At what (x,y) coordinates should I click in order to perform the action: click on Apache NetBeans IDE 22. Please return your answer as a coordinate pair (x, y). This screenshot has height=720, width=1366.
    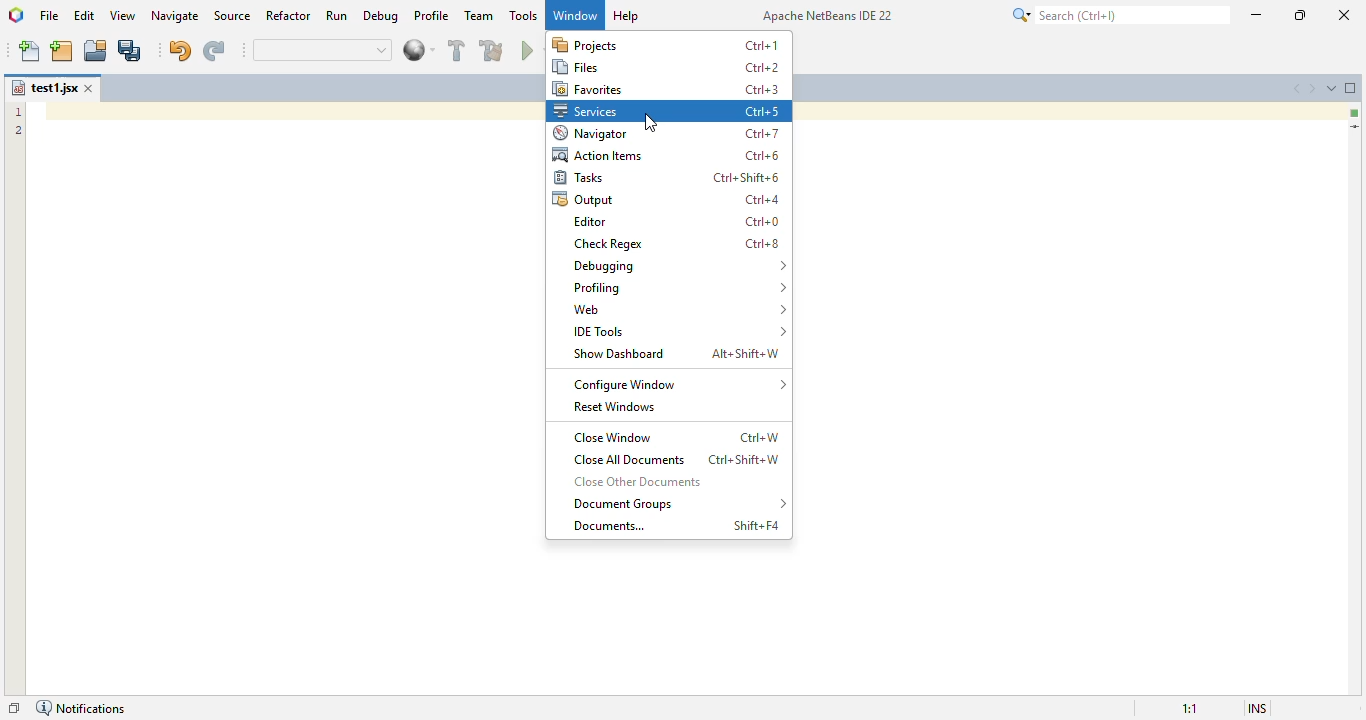
    Looking at the image, I should click on (826, 14).